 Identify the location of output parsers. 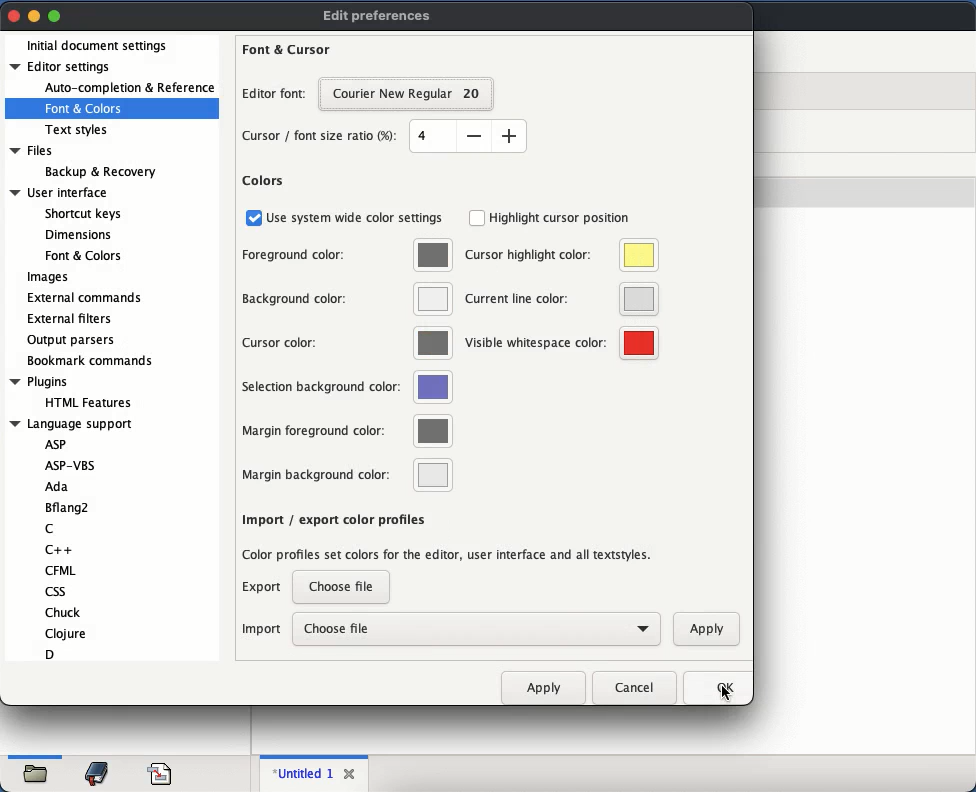
(73, 340).